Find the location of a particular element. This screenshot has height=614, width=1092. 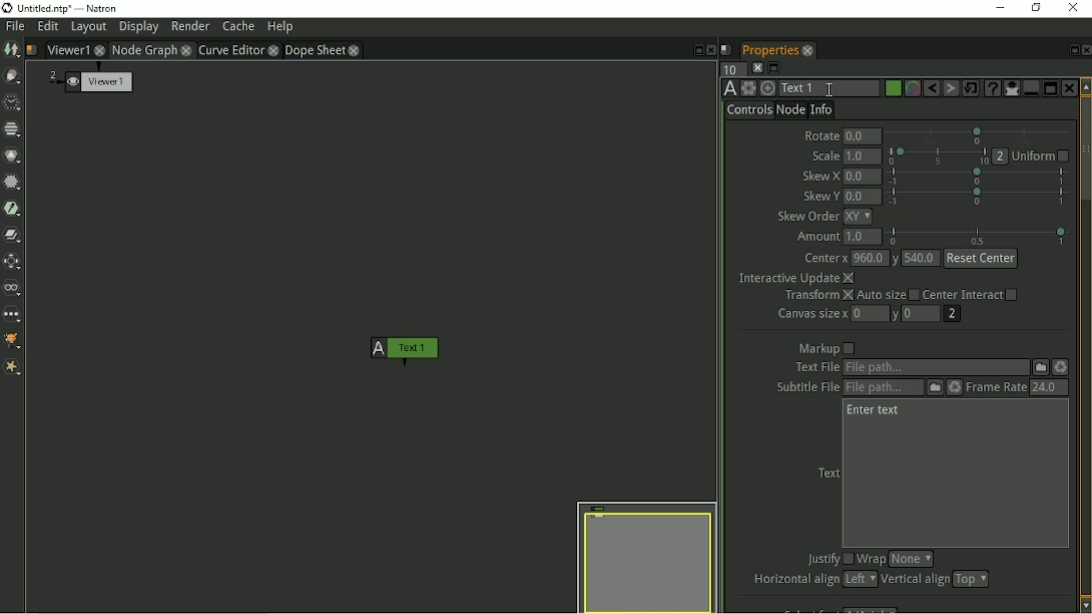

cursor is located at coordinates (827, 89).